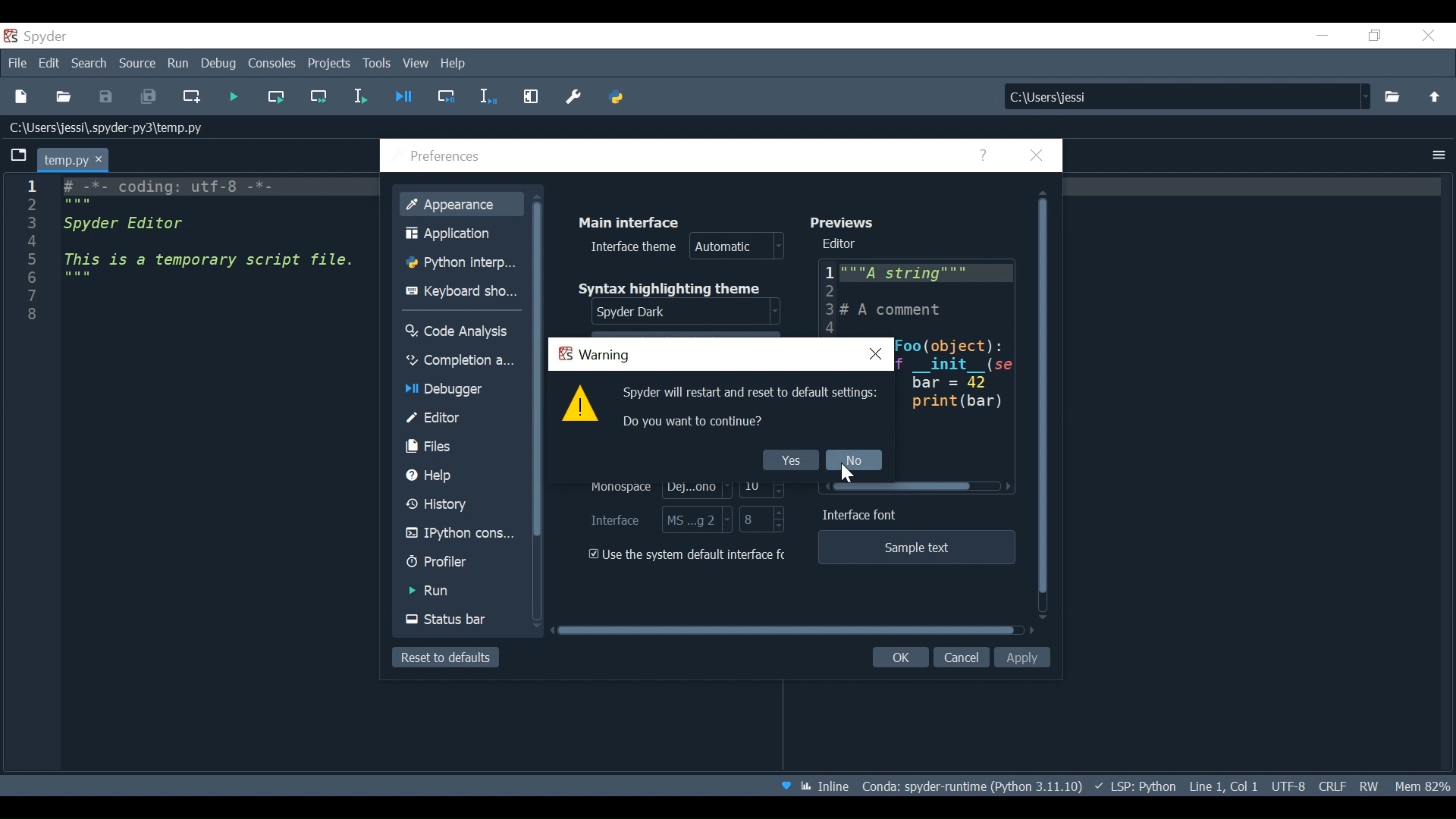 Image resolution: width=1456 pixels, height=819 pixels. Describe the element at coordinates (461, 419) in the screenshot. I see `Editor` at that location.